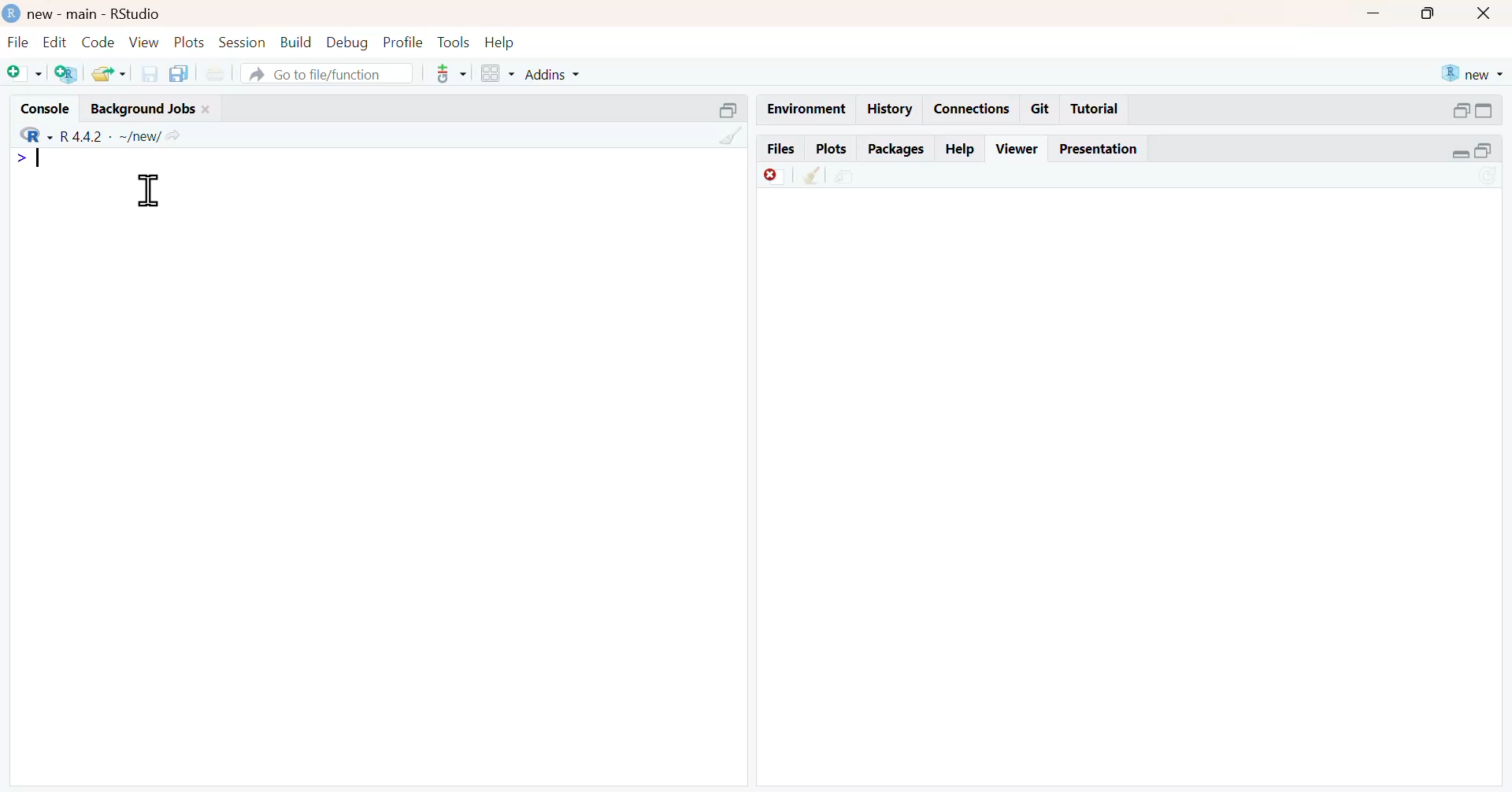  Describe the element at coordinates (376, 497) in the screenshot. I see `empty area` at that location.